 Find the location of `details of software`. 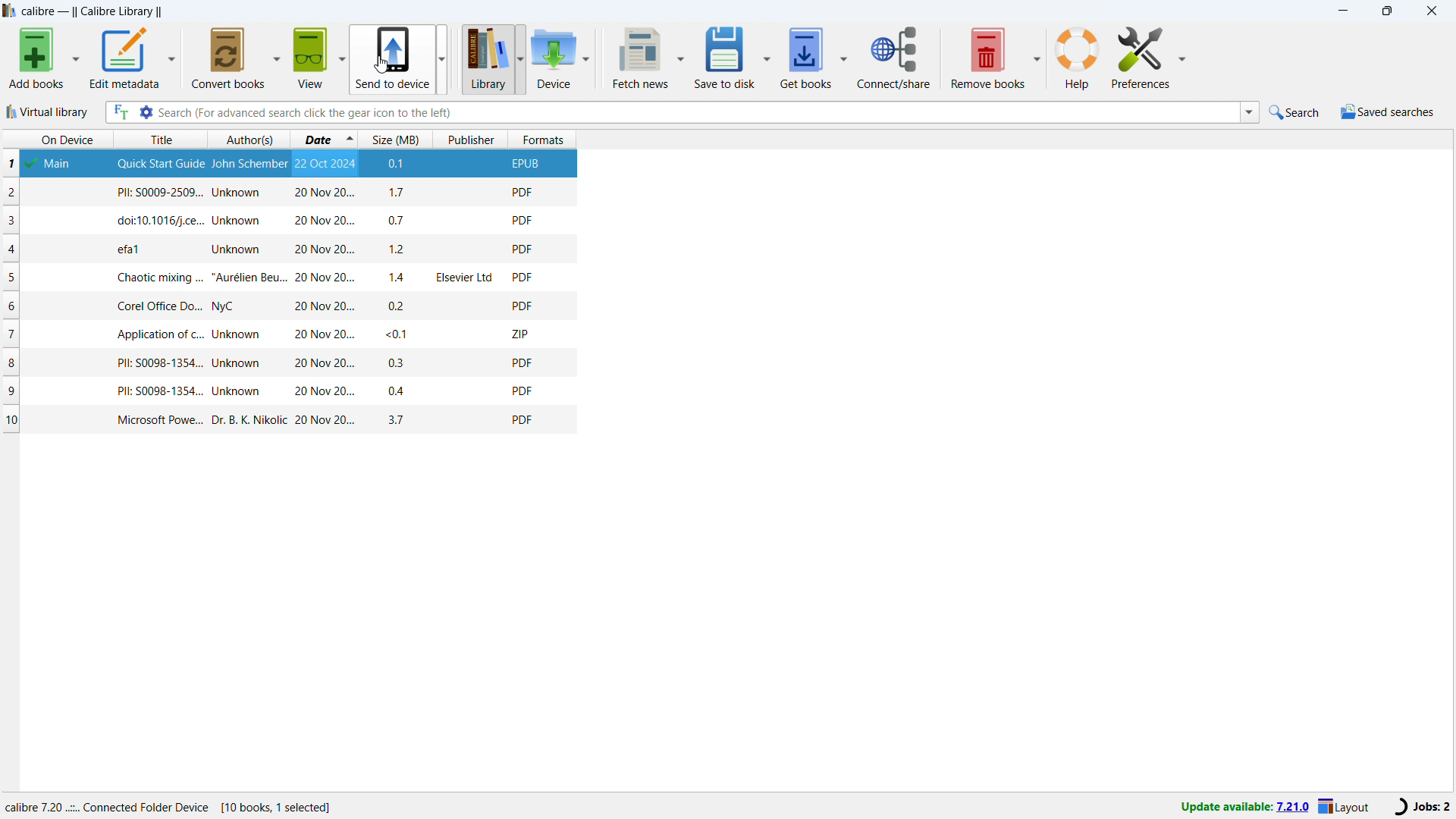

details of software is located at coordinates (171, 807).